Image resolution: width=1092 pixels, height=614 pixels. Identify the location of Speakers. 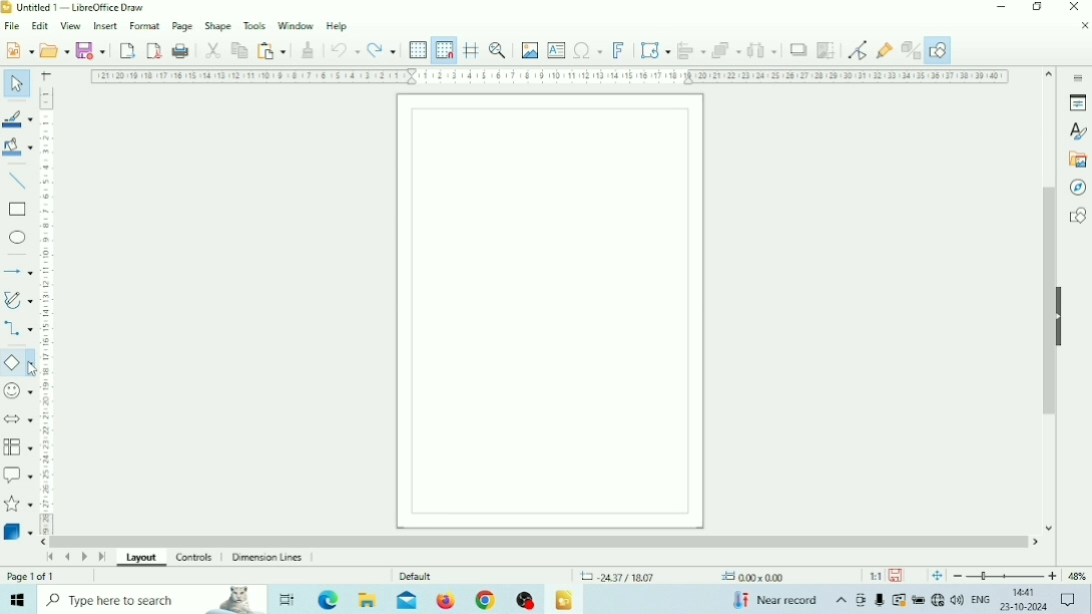
(956, 599).